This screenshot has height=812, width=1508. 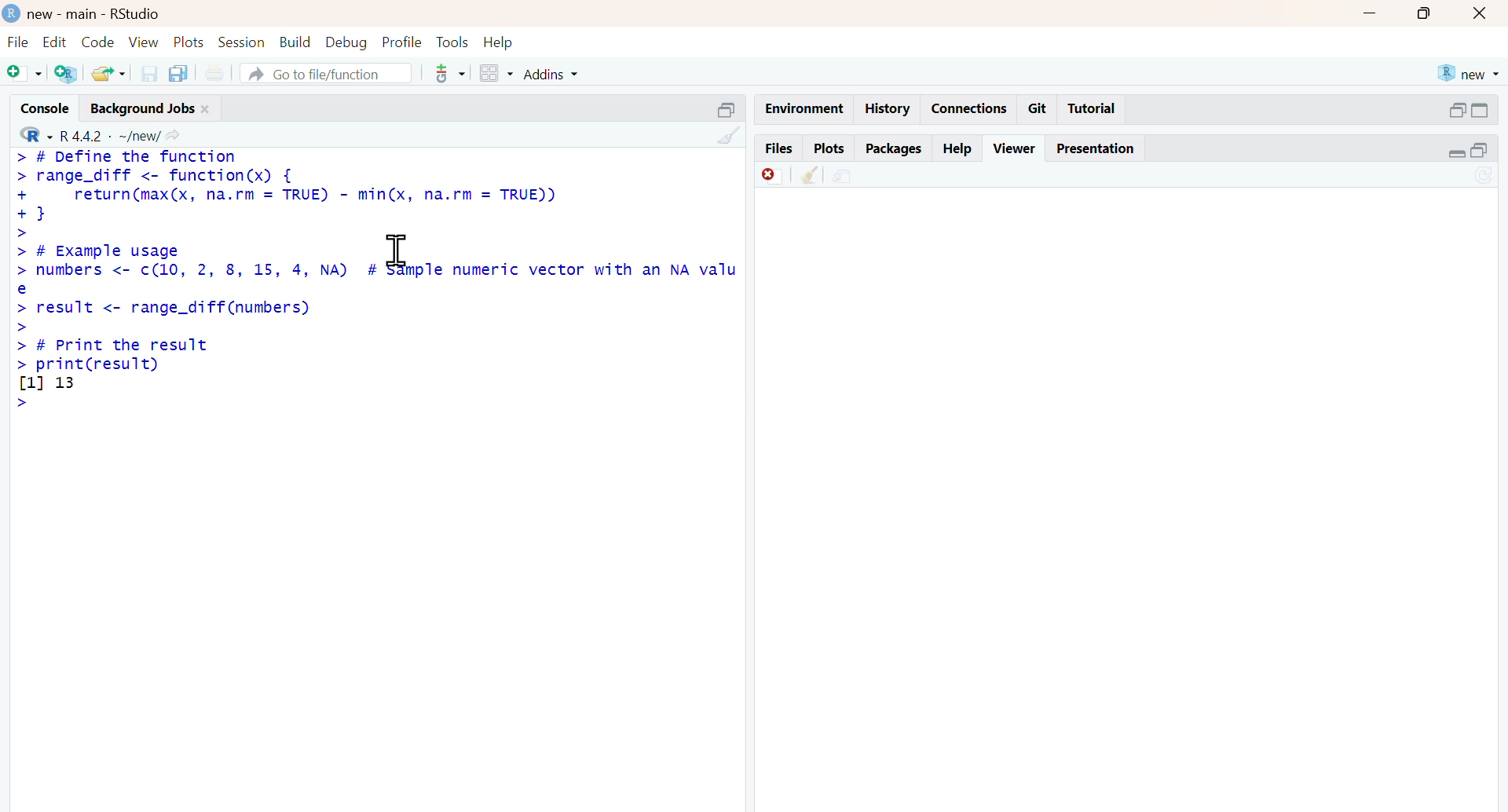 What do you see at coordinates (190, 43) in the screenshot?
I see `plots` at bounding box center [190, 43].